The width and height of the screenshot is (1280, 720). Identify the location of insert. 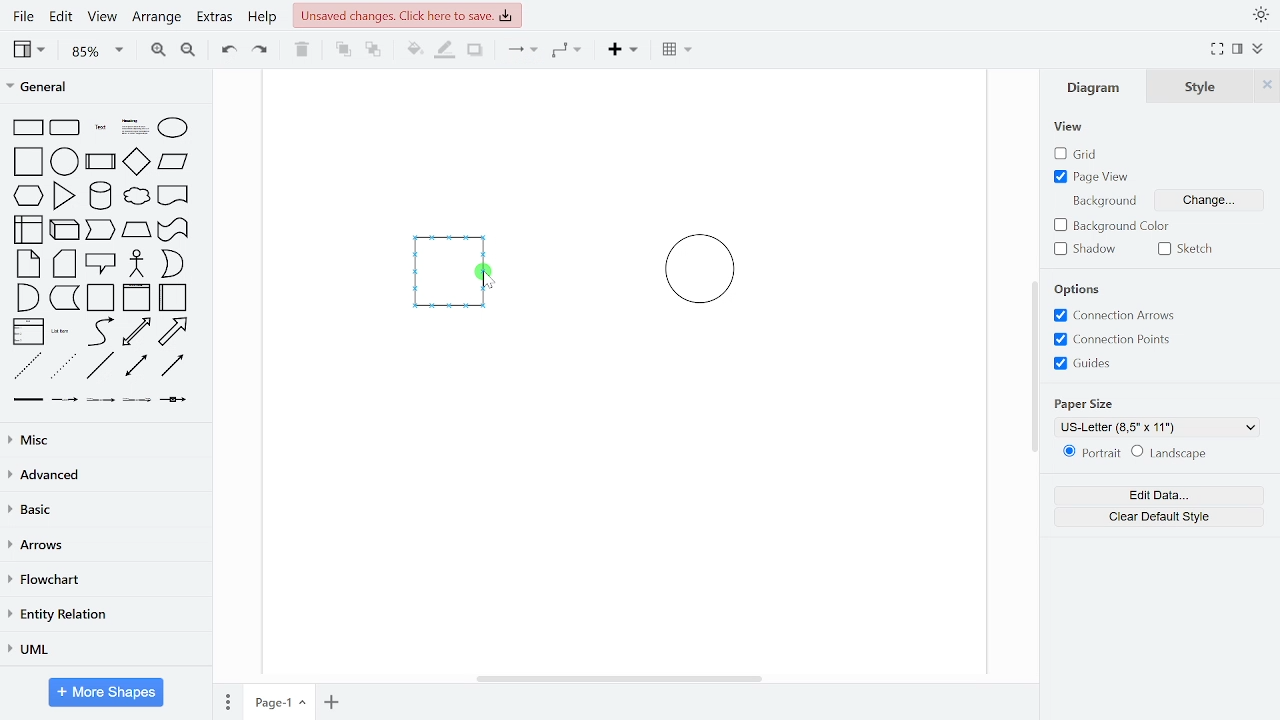
(628, 50).